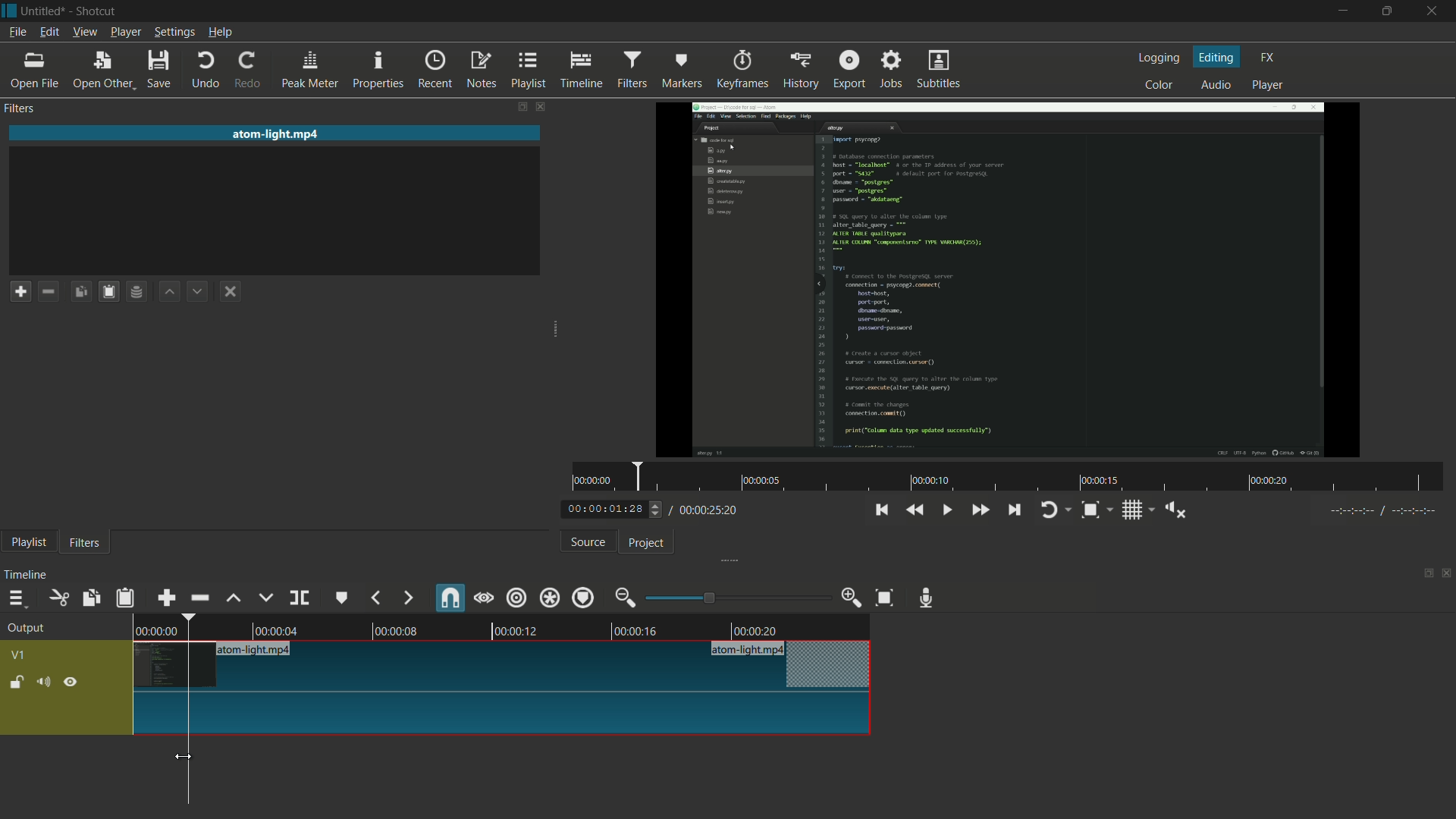 This screenshot has width=1456, height=819. Describe the element at coordinates (885, 599) in the screenshot. I see `zoom timeline to fit` at that location.